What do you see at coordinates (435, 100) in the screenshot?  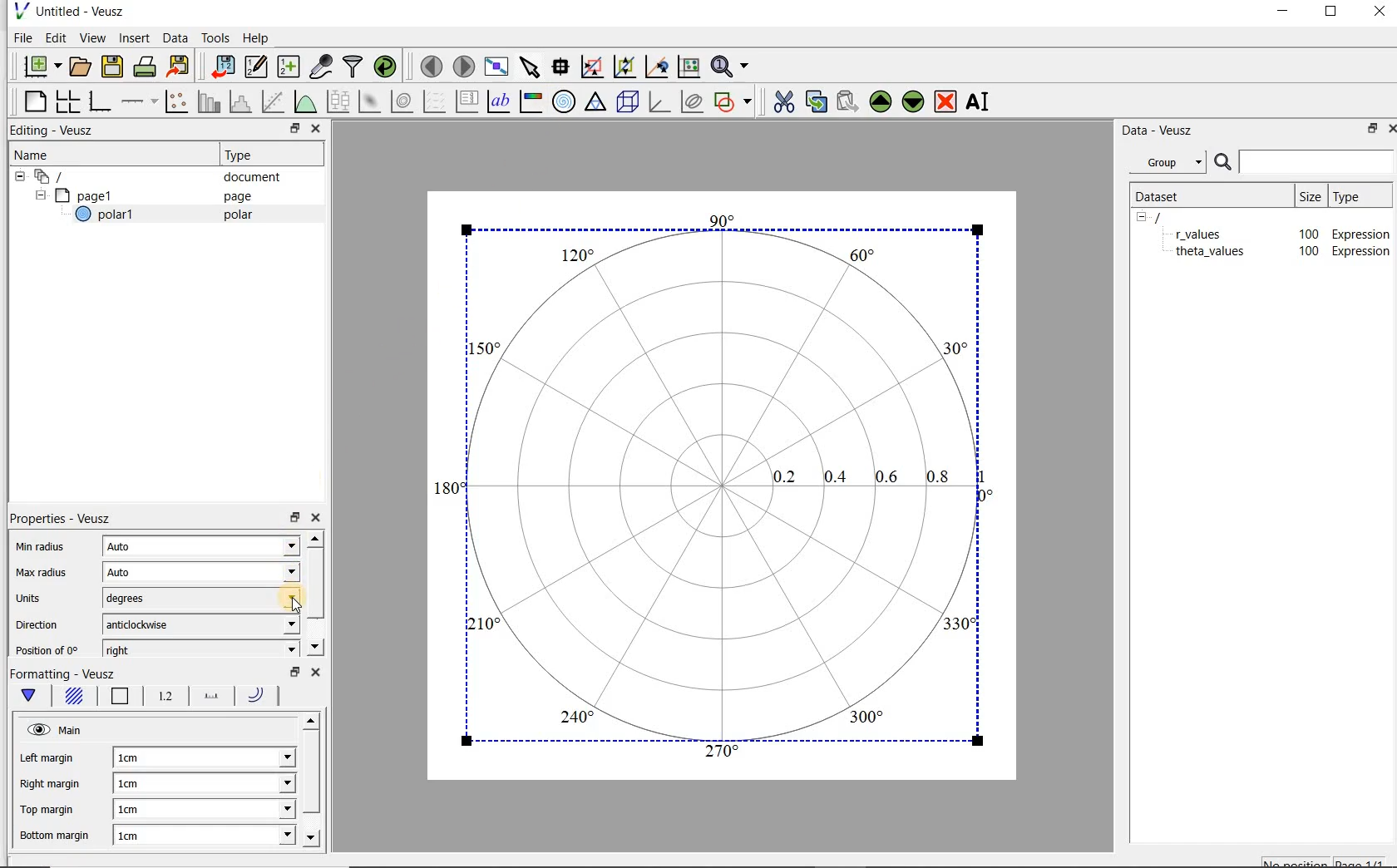 I see `plot a vector field` at bounding box center [435, 100].